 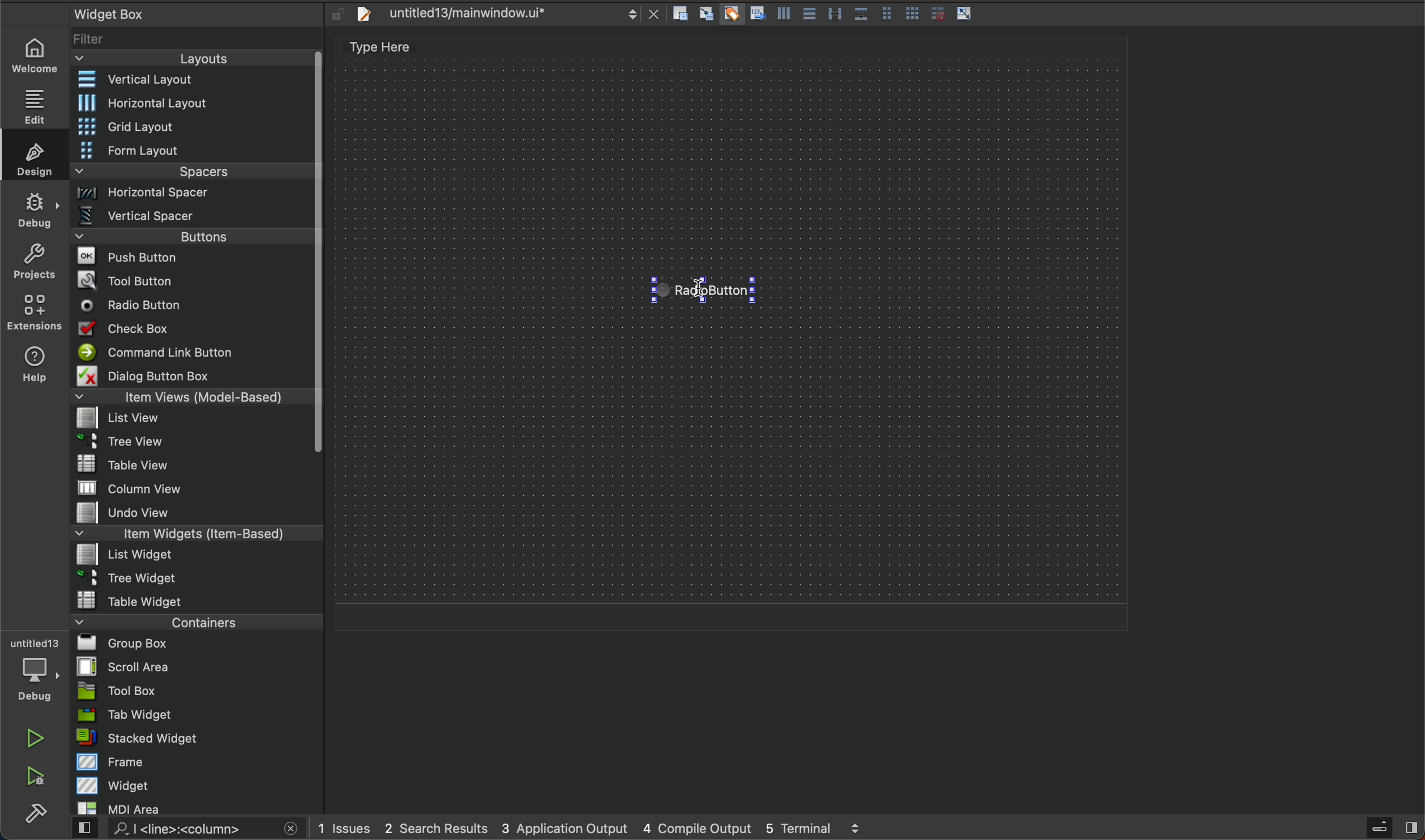 What do you see at coordinates (192, 353) in the screenshot?
I see `command line` at bounding box center [192, 353].